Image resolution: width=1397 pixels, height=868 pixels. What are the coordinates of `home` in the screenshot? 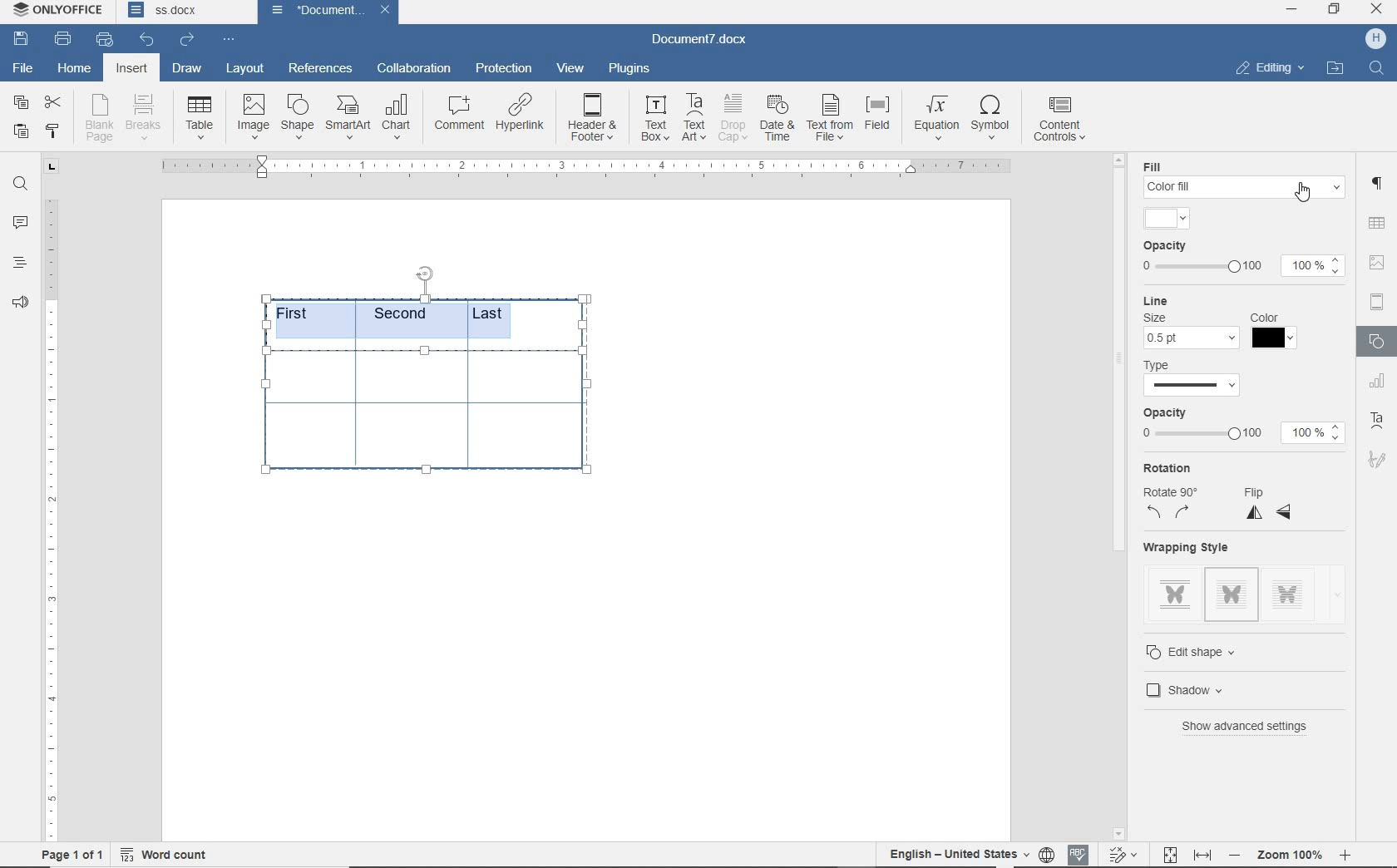 It's located at (76, 70).